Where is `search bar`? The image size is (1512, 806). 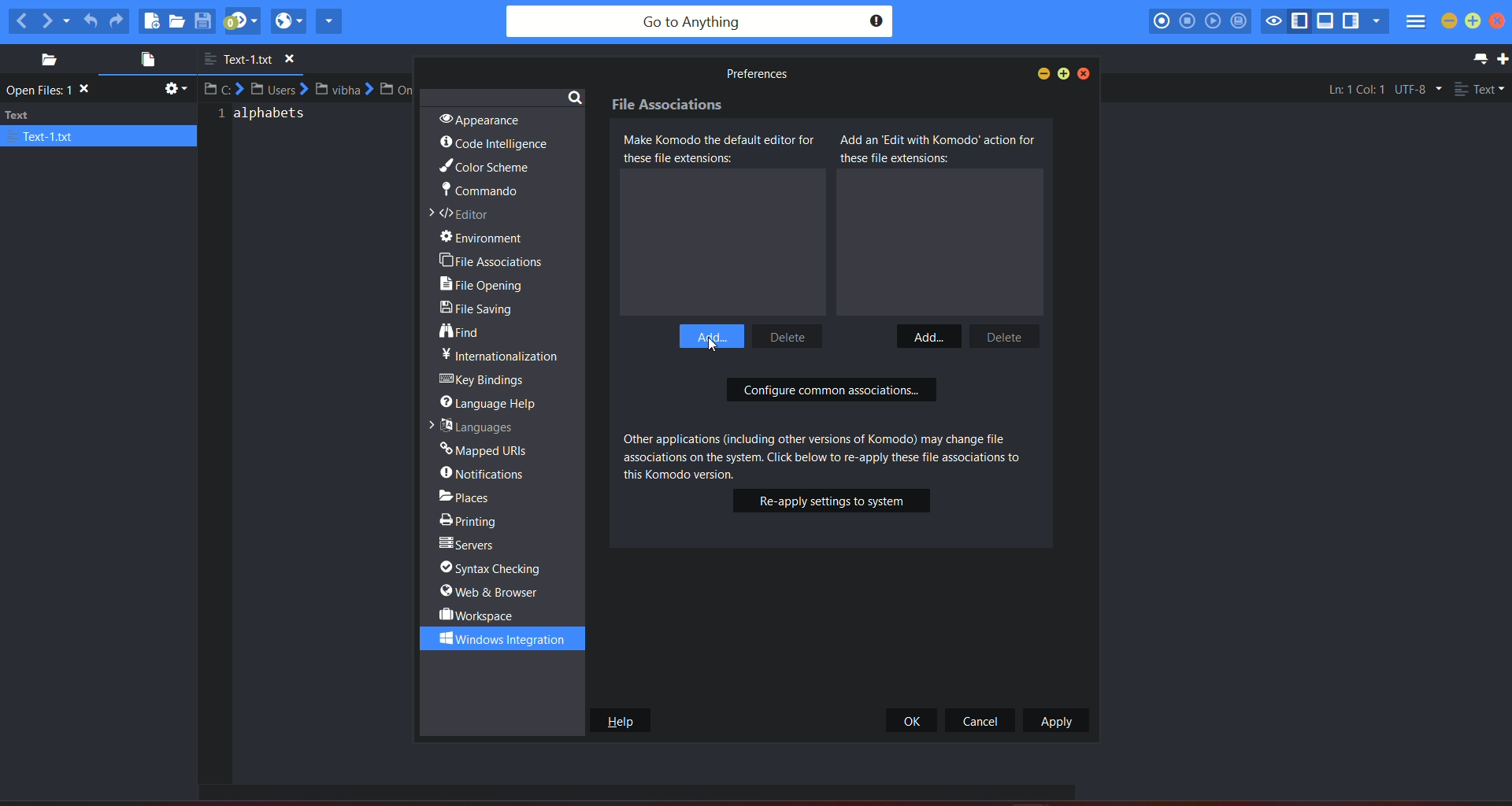 search bar is located at coordinates (699, 22).